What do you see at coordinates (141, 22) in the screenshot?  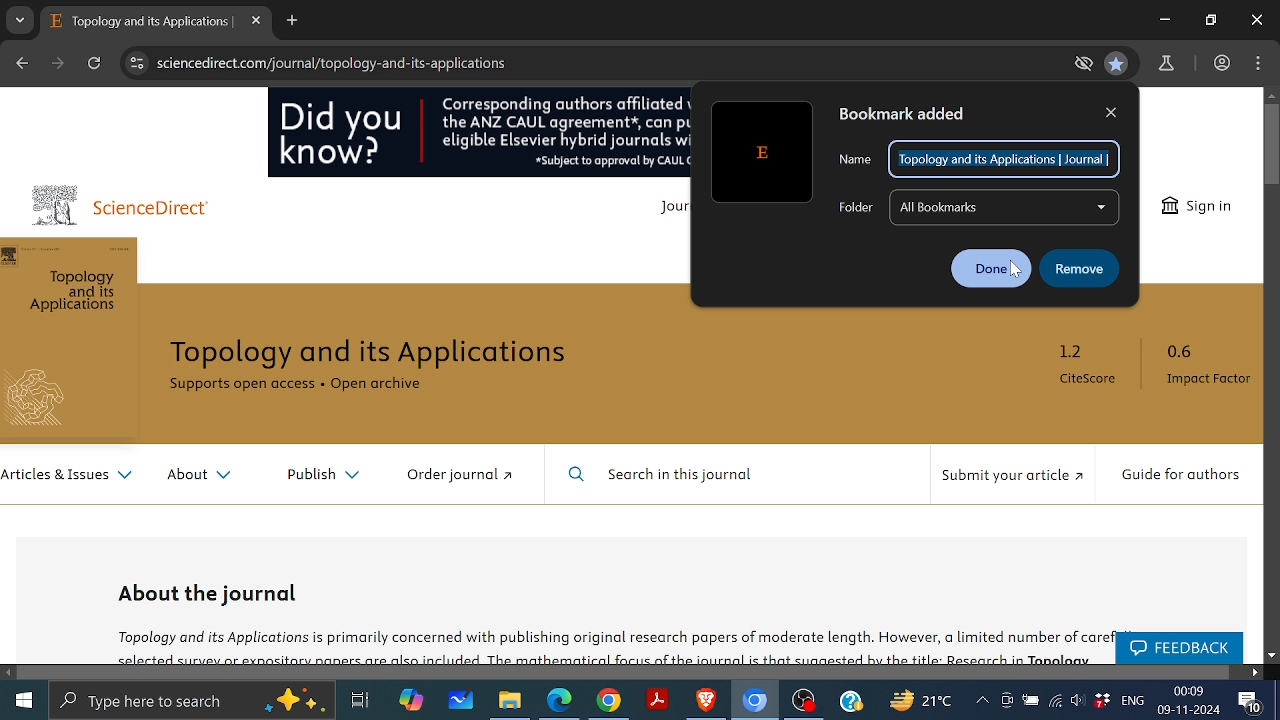 I see `E Topology and its Applications` at bounding box center [141, 22].